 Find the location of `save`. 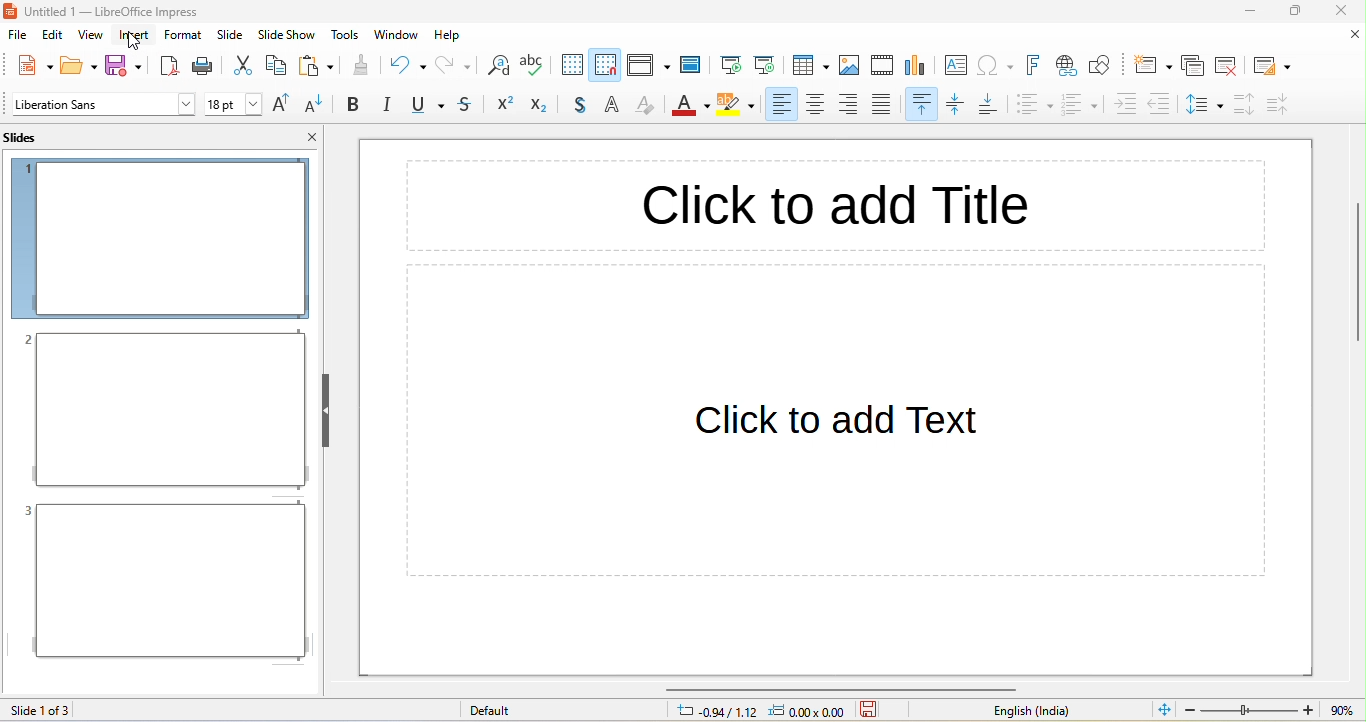

save is located at coordinates (128, 65).